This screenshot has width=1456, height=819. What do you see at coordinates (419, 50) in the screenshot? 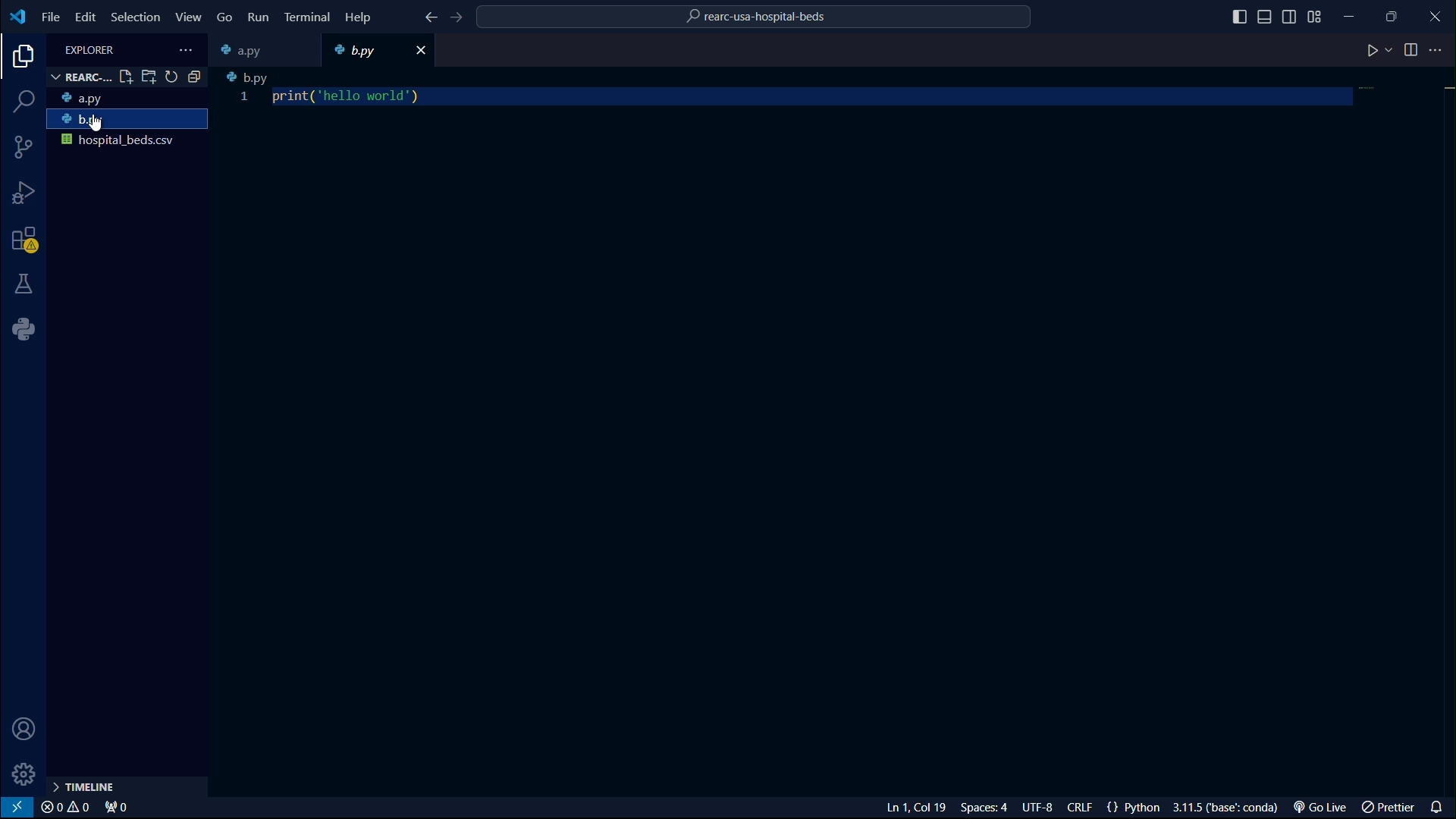
I see `close file` at bounding box center [419, 50].